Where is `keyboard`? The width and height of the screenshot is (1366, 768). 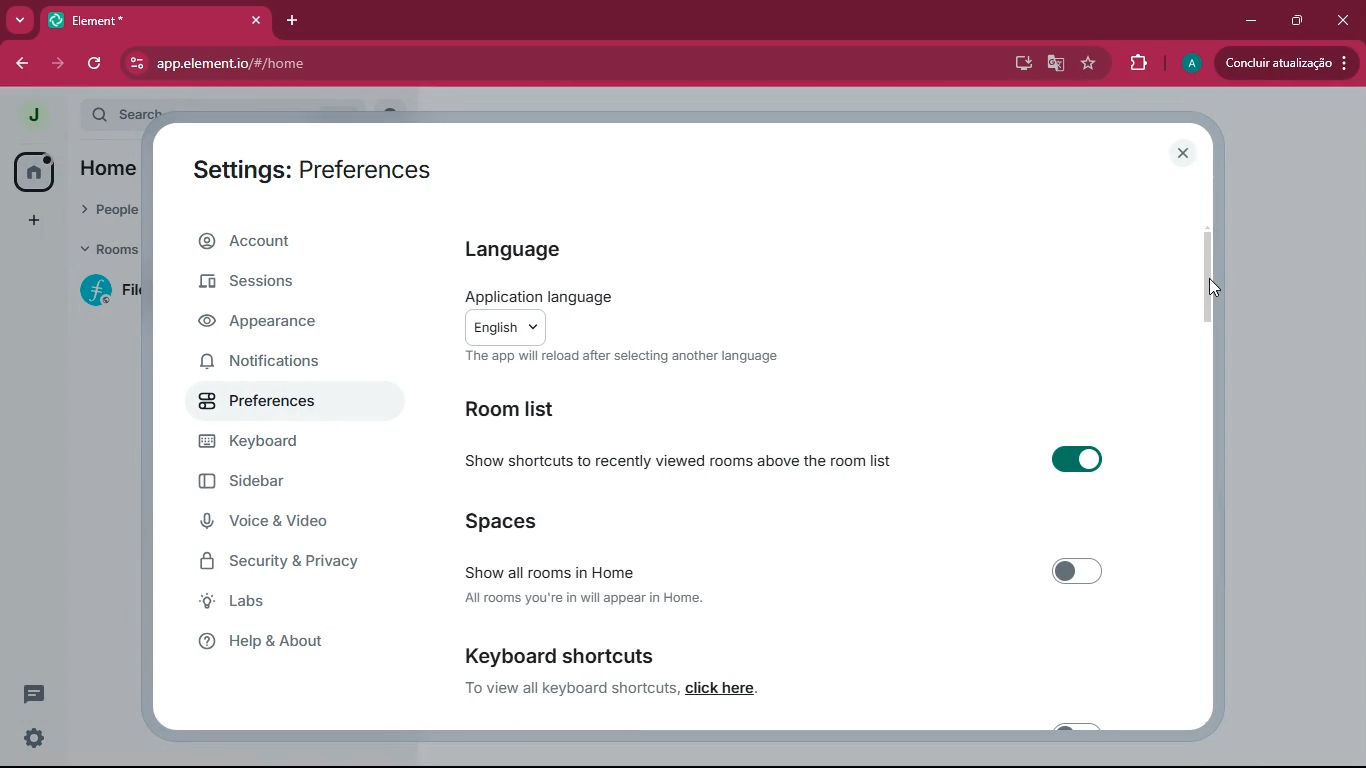
keyboard is located at coordinates (277, 443).